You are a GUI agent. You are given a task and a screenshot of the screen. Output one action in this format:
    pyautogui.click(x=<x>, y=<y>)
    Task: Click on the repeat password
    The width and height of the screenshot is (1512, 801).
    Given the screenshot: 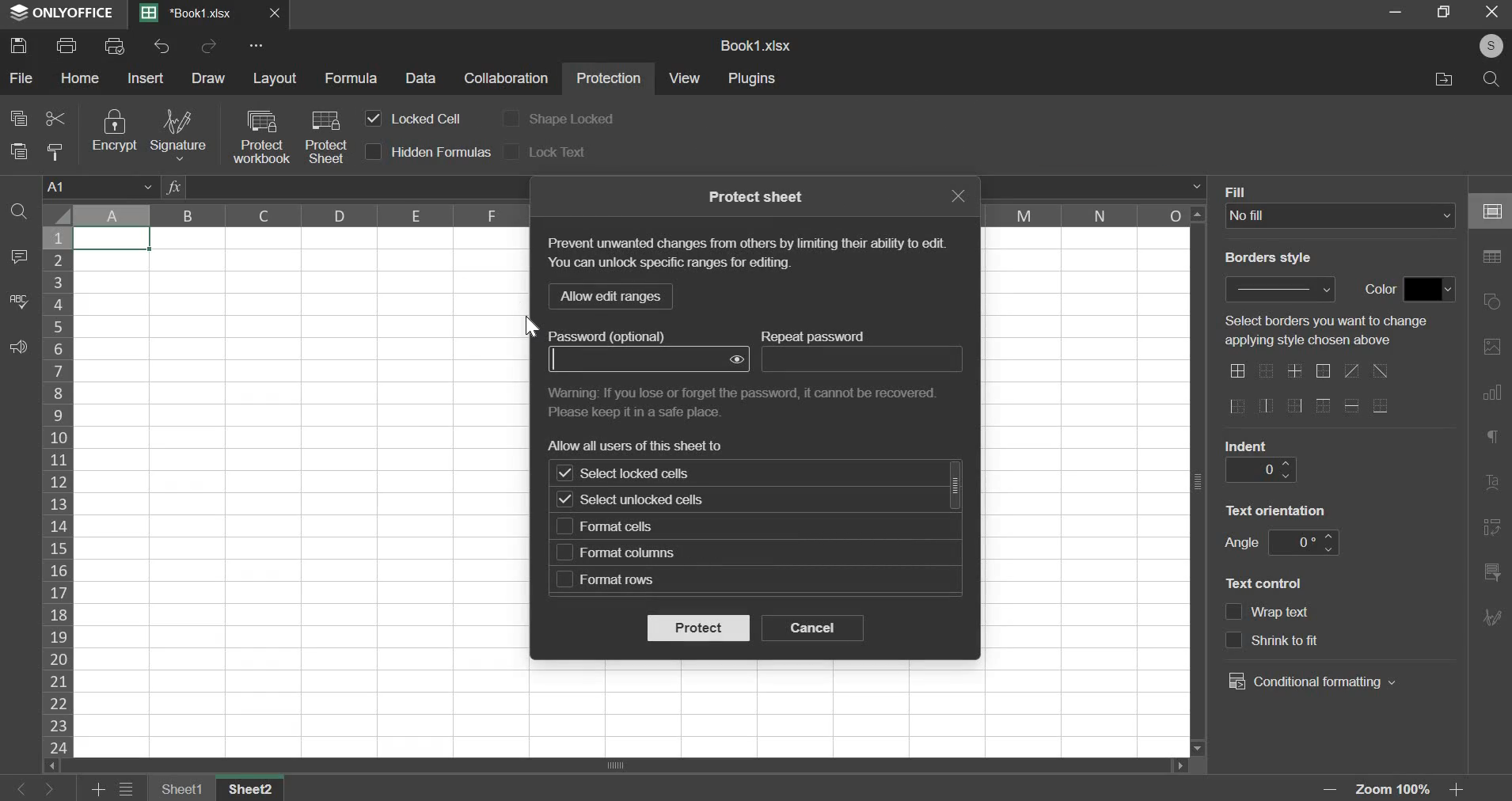 What is the action you would take?
    pyautogui.click(x=862, y=359)
    